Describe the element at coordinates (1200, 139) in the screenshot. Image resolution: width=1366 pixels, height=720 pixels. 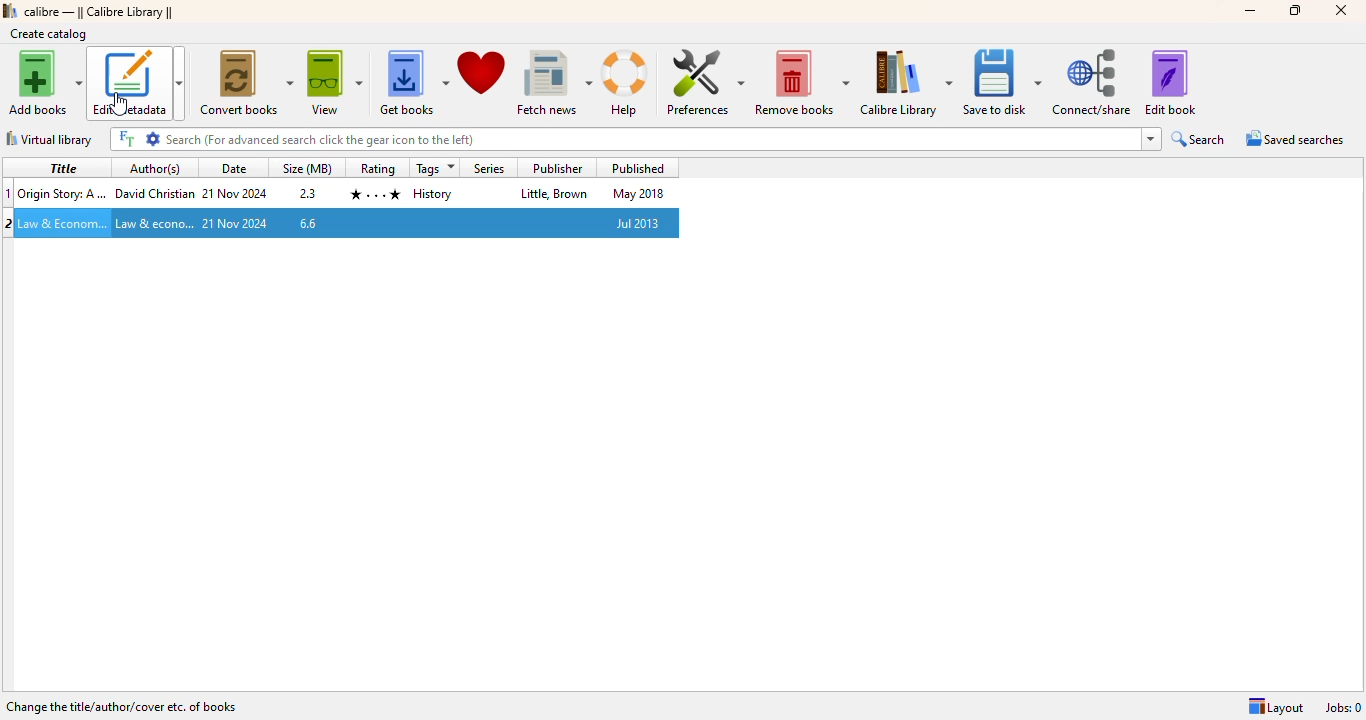
I see `search` at that location.